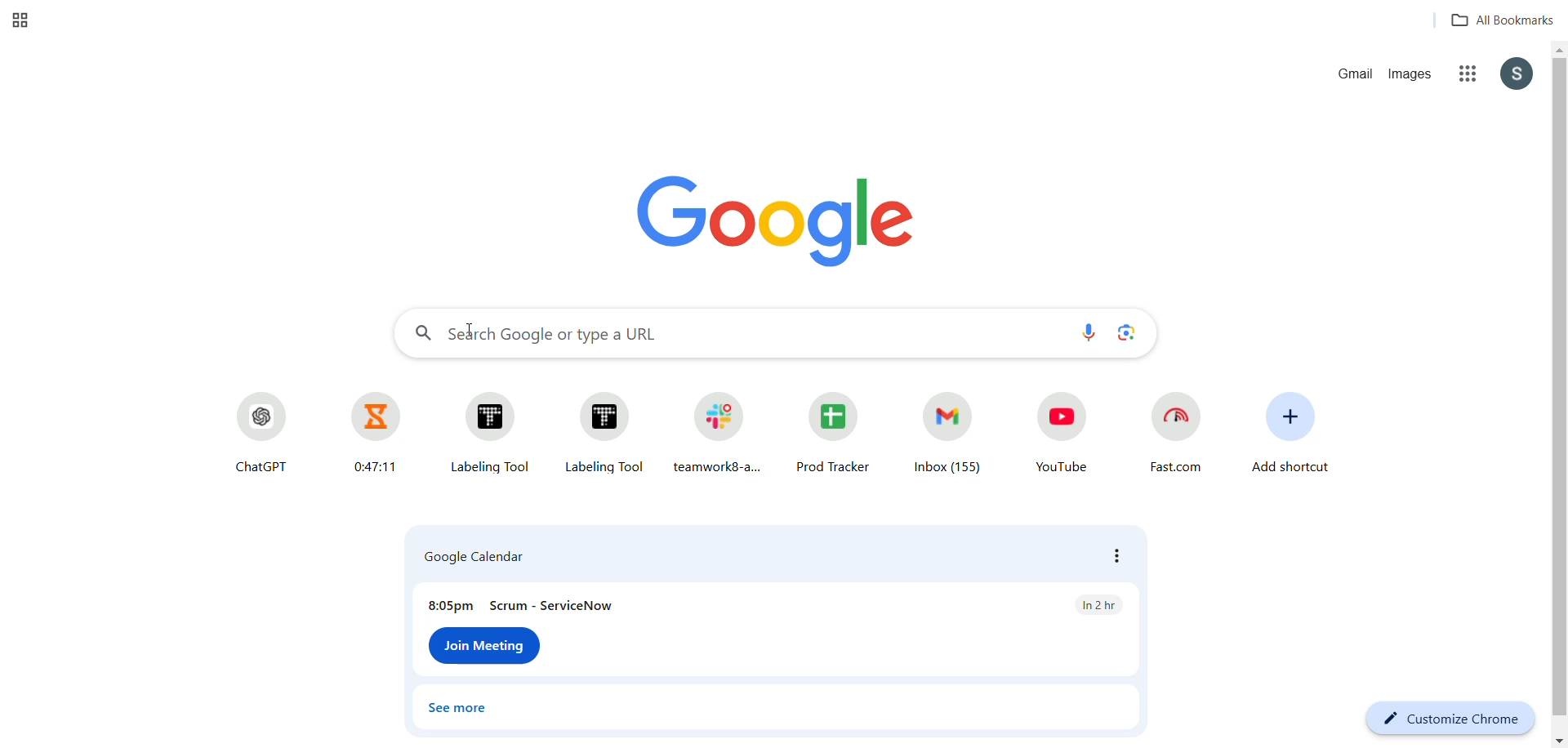 Image resolution: width=1568 pixels, height=748 pixels. I want to click on Labeling Tool, so click(606, 432).